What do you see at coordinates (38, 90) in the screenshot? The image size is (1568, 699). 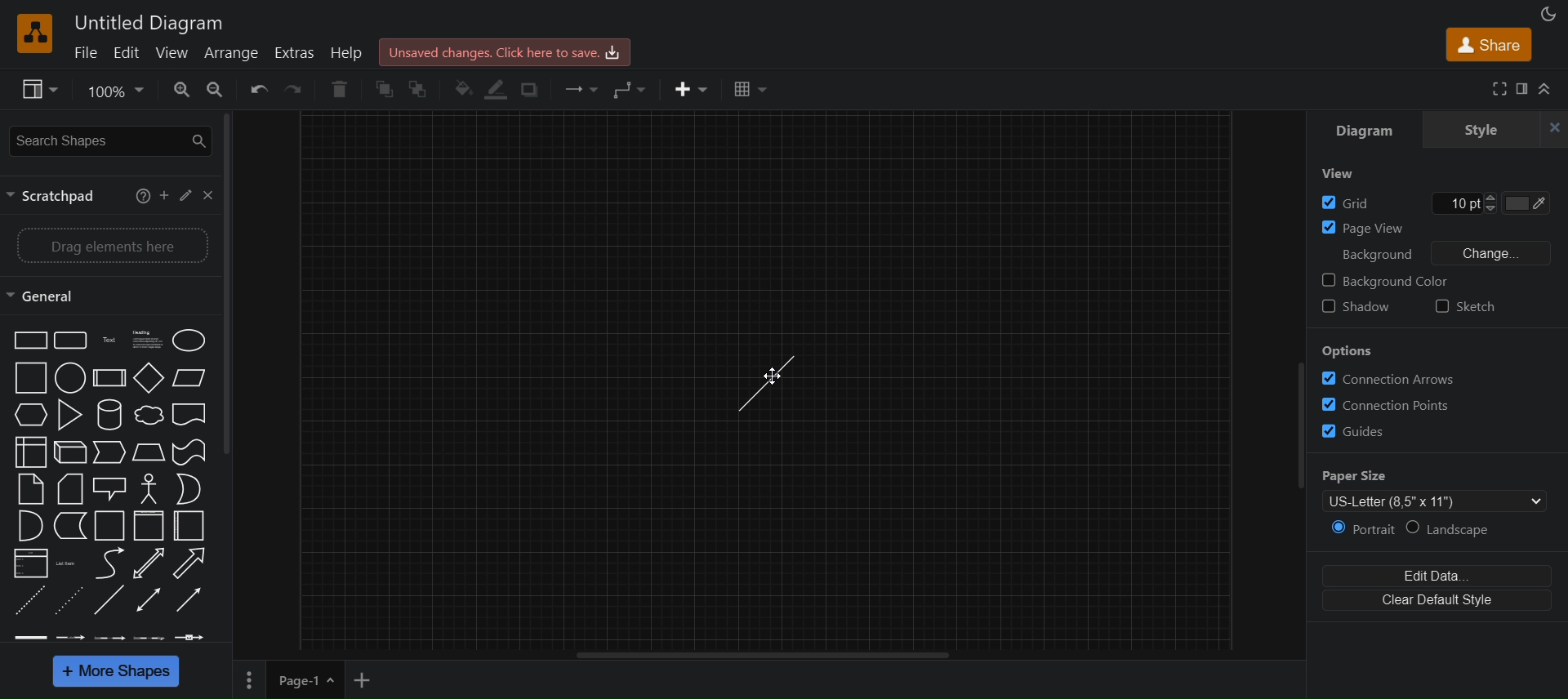 I see `view` at bounding box center [38, 90].